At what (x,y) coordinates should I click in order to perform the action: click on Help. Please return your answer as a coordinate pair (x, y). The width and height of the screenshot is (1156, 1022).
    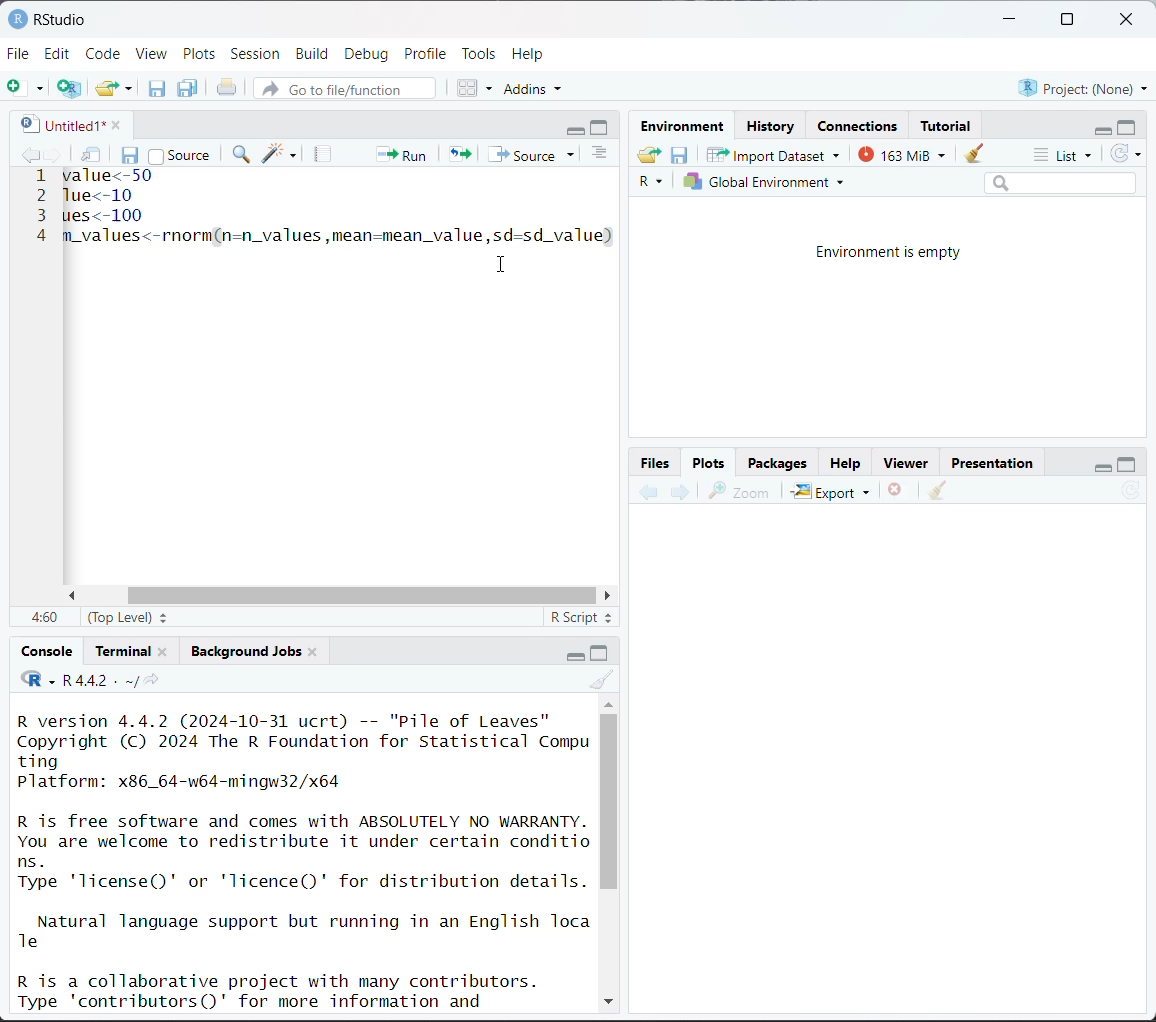
    Looking at the image, I should click on (845, 465).